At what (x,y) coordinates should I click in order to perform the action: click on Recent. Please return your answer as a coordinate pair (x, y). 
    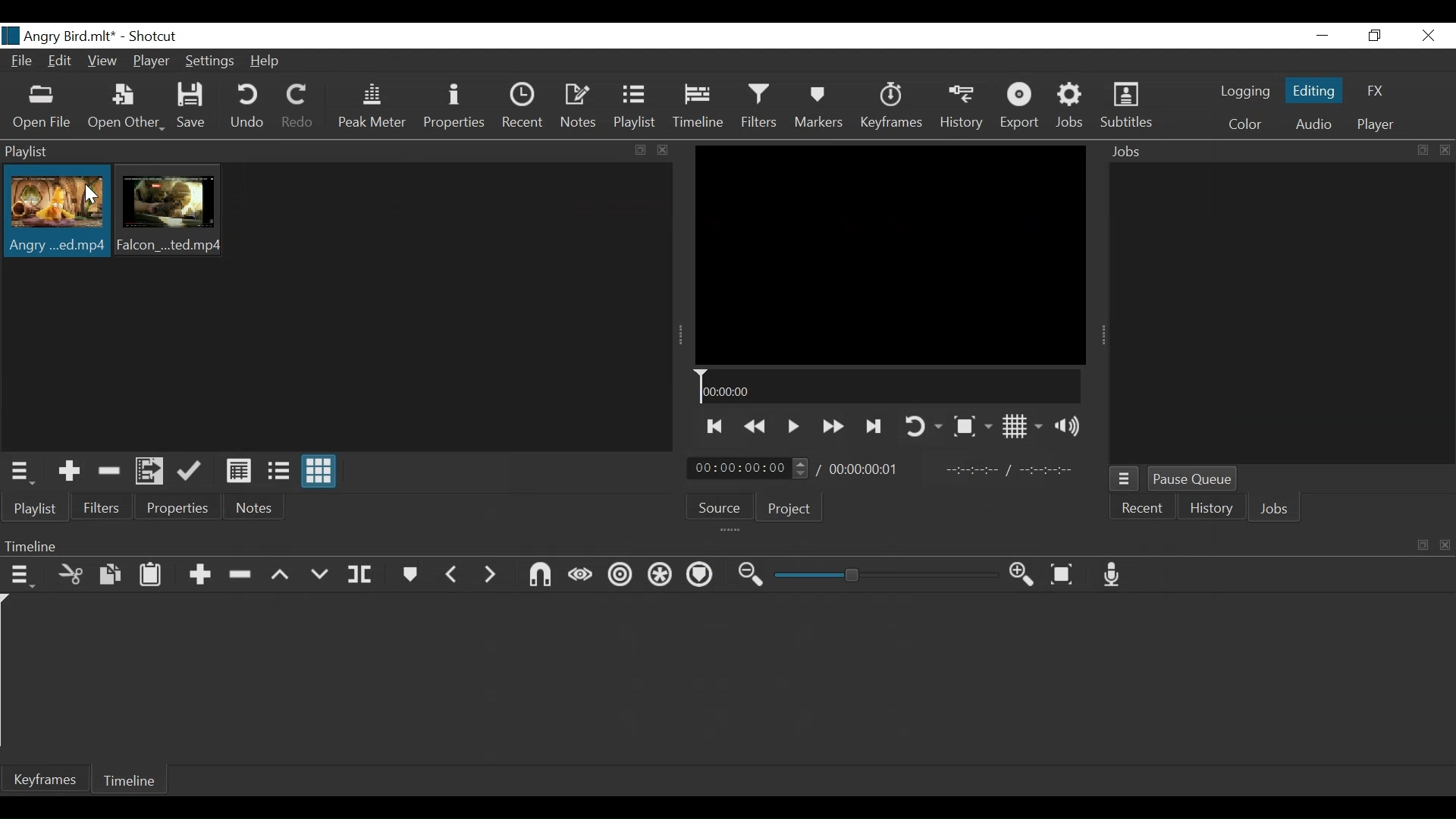
    Looking at the image, I should click on (522, 109).